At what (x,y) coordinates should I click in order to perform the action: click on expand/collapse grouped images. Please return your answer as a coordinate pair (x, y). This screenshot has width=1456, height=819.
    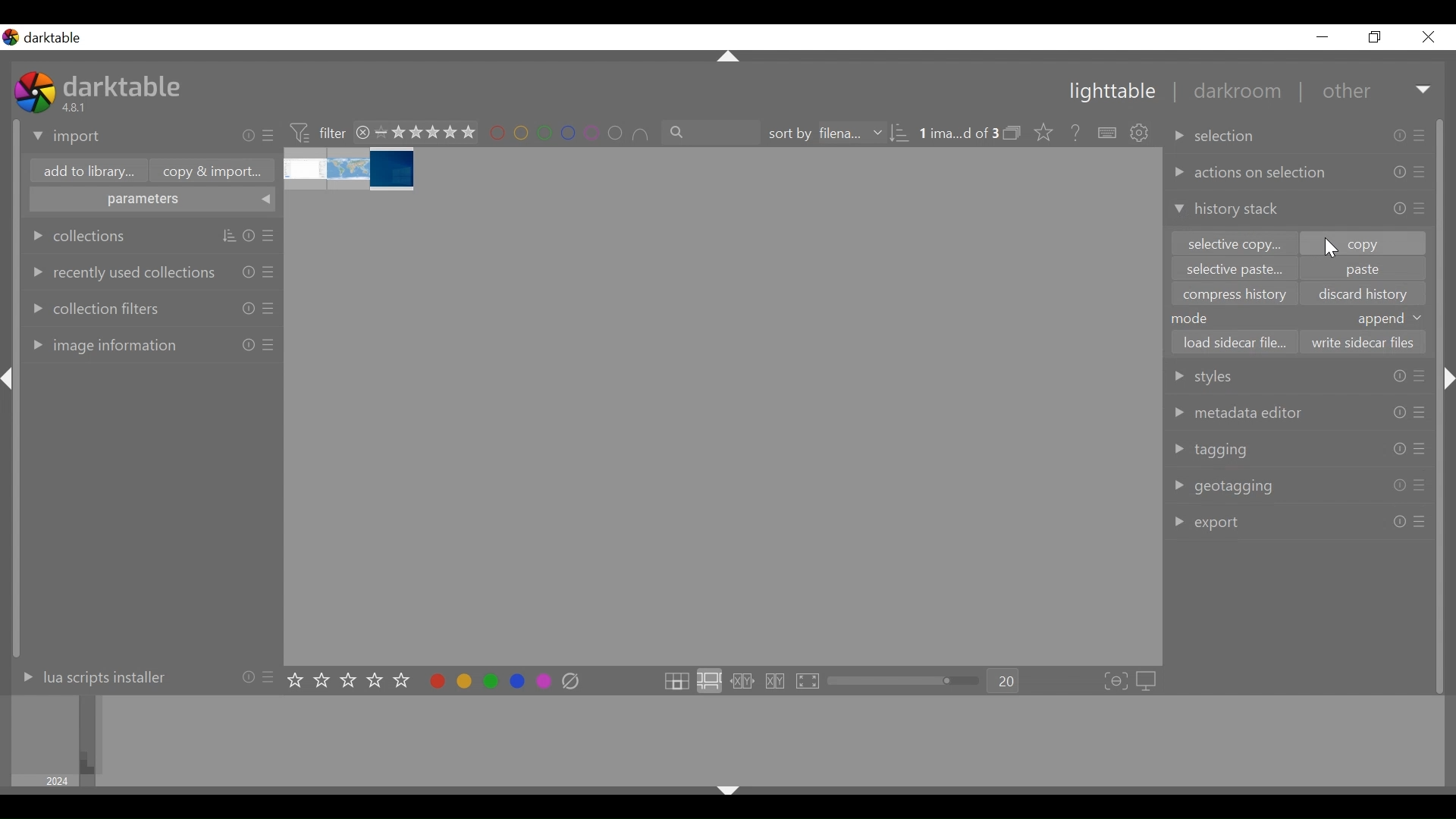
    Looking at the image, I should click on (1012, 133).